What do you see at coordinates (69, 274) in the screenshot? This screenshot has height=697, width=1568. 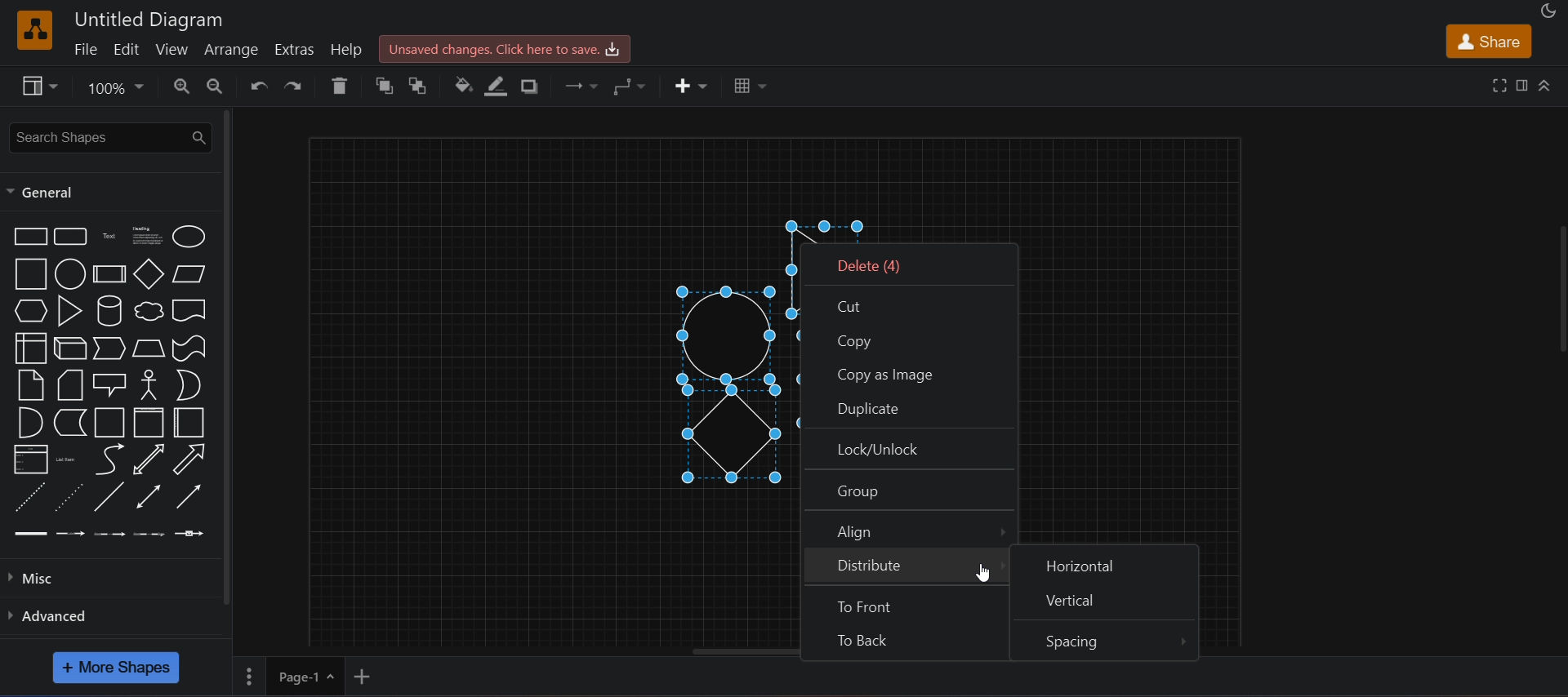 I see `circle` at bounding box center [69, 274].